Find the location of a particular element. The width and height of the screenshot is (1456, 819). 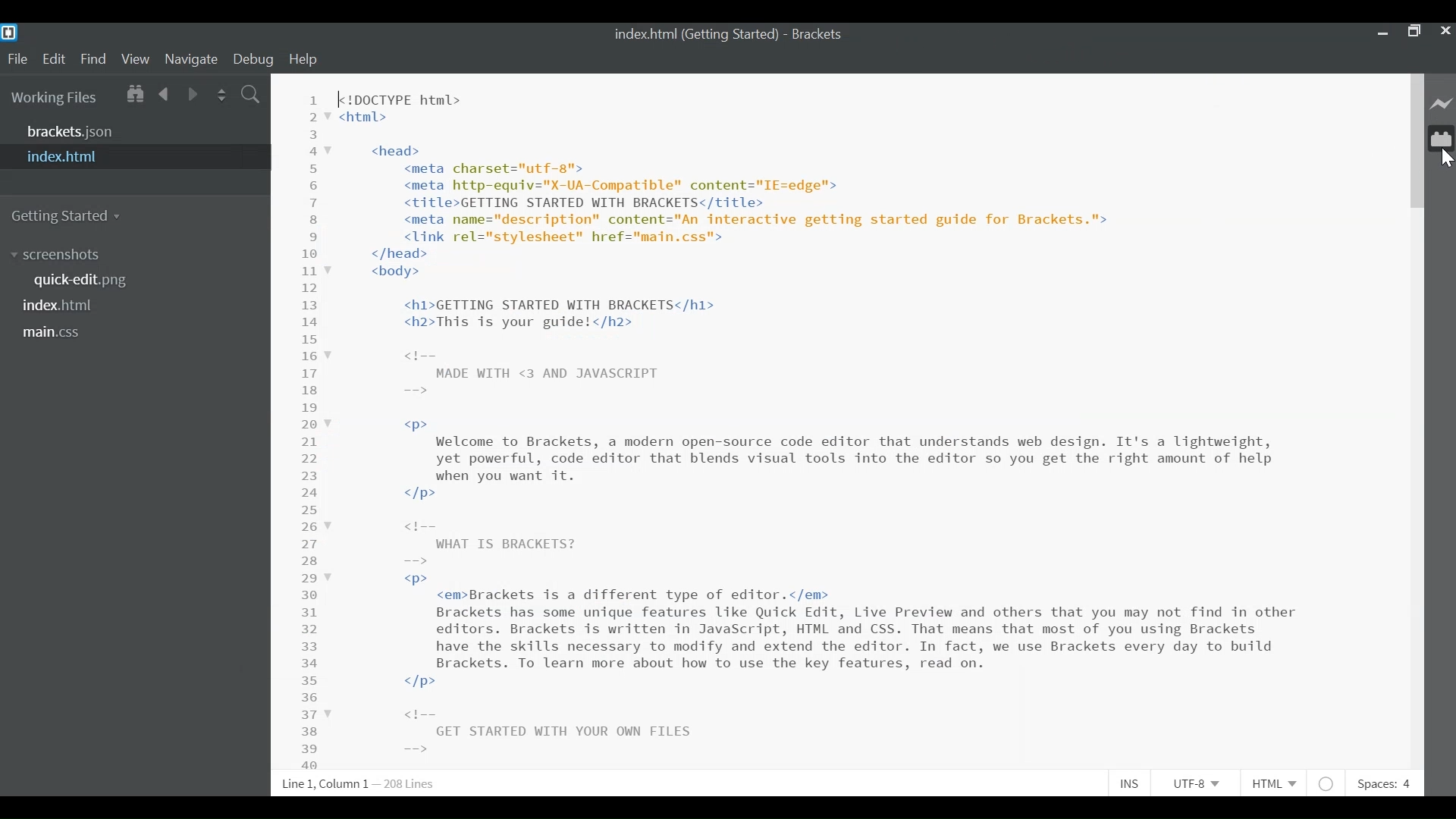

Navigate Backward is located at coordinates (165, 94).